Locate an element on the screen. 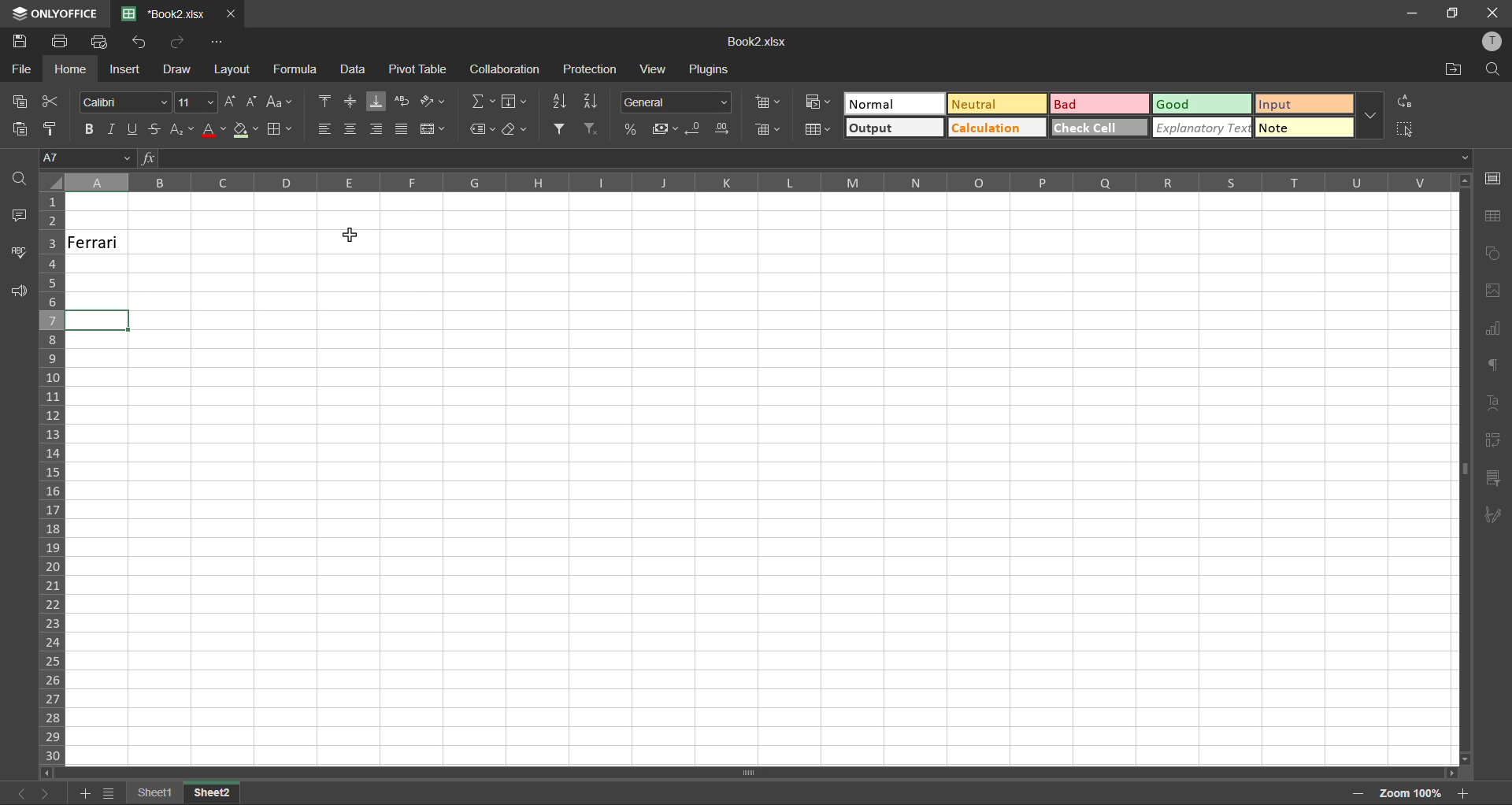 The width and height of the screenshot is (1512, 805). pivot table is located at coordinates (1492, 442).